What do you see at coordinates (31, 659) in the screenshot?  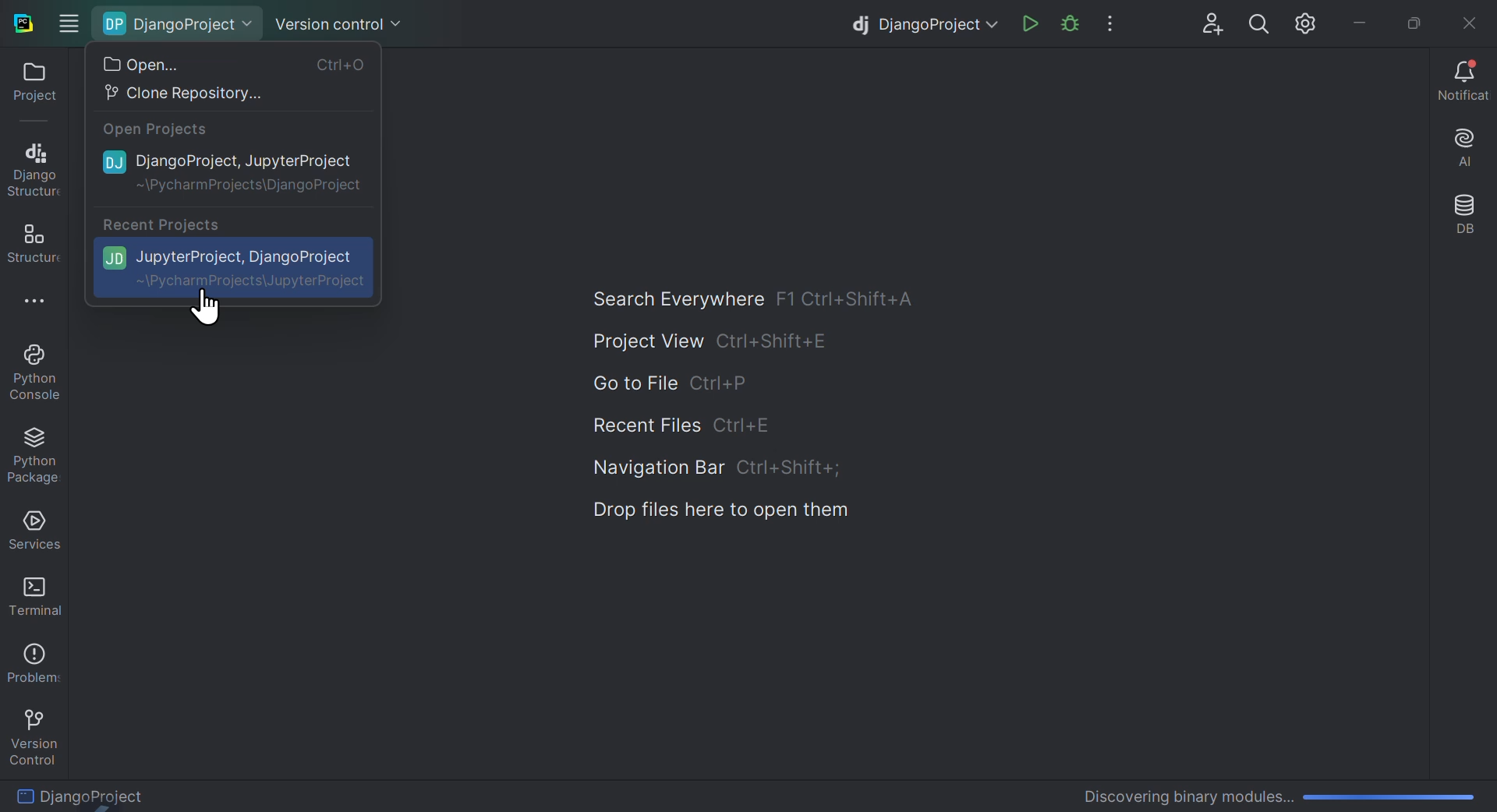 I see `Problems` at bounding box center [31, 659].